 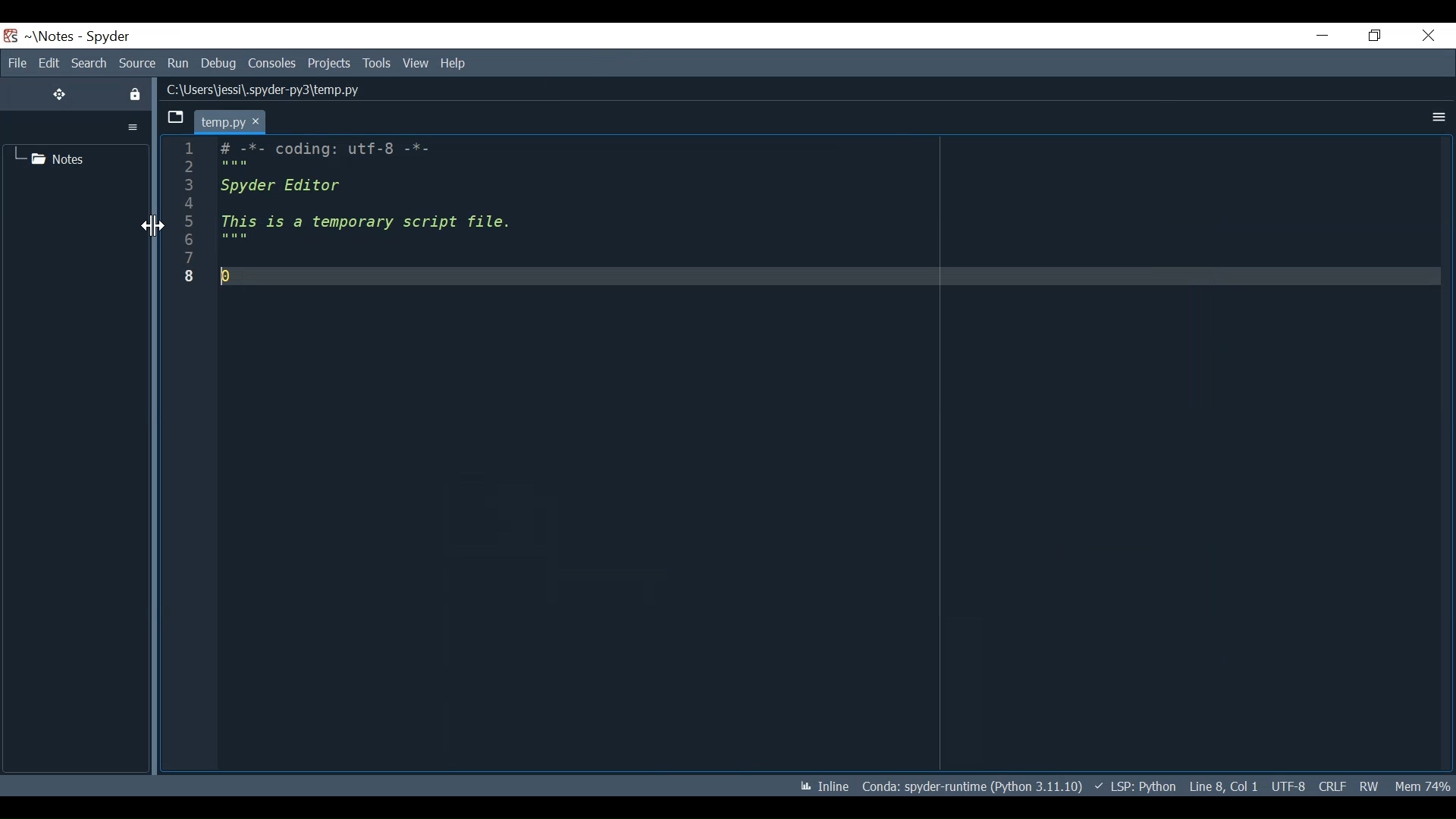 I want to click on Projects, so click(x=330, y=64).